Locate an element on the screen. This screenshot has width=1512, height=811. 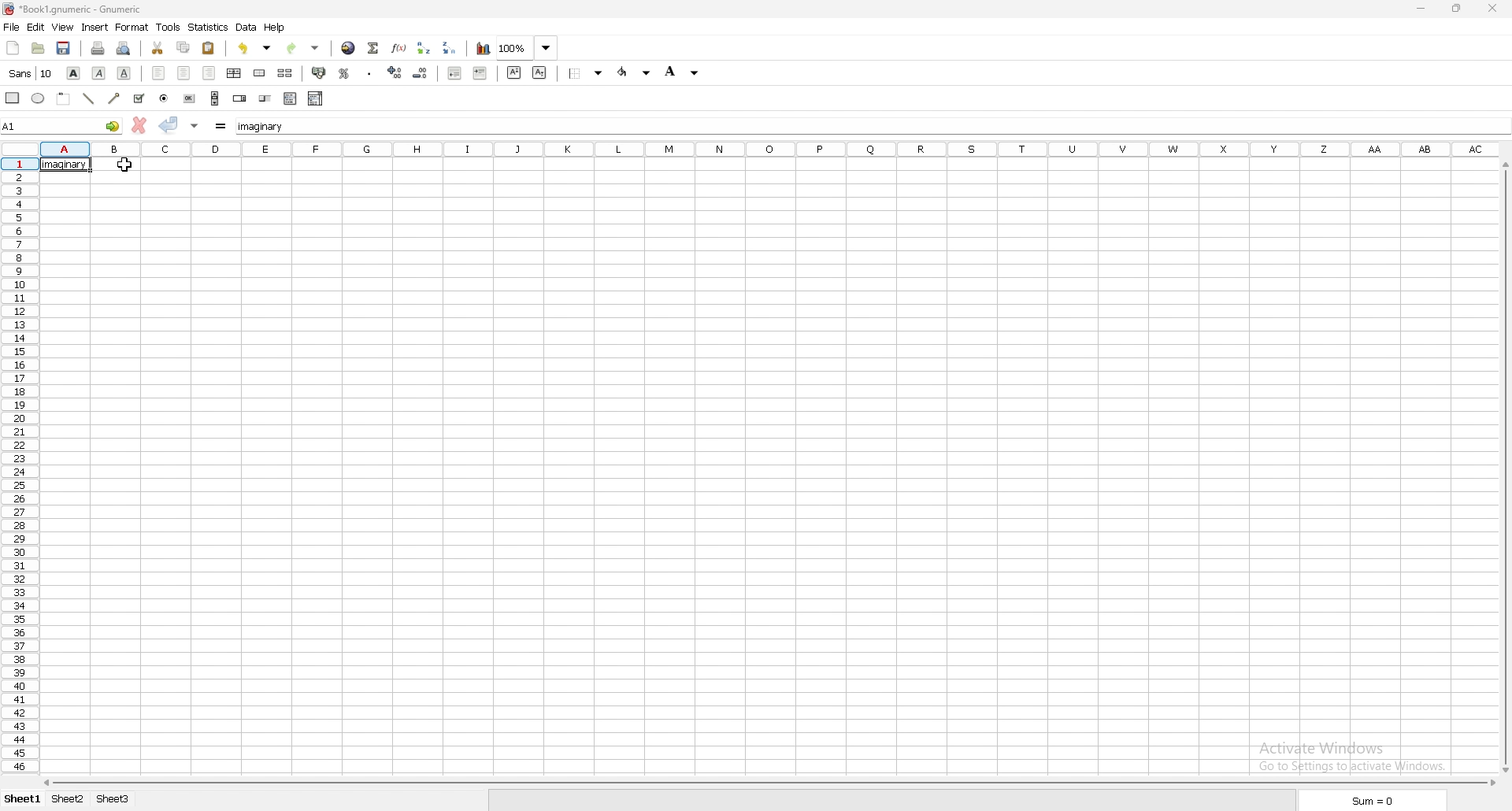
paste is located at coordinates (209, 47).